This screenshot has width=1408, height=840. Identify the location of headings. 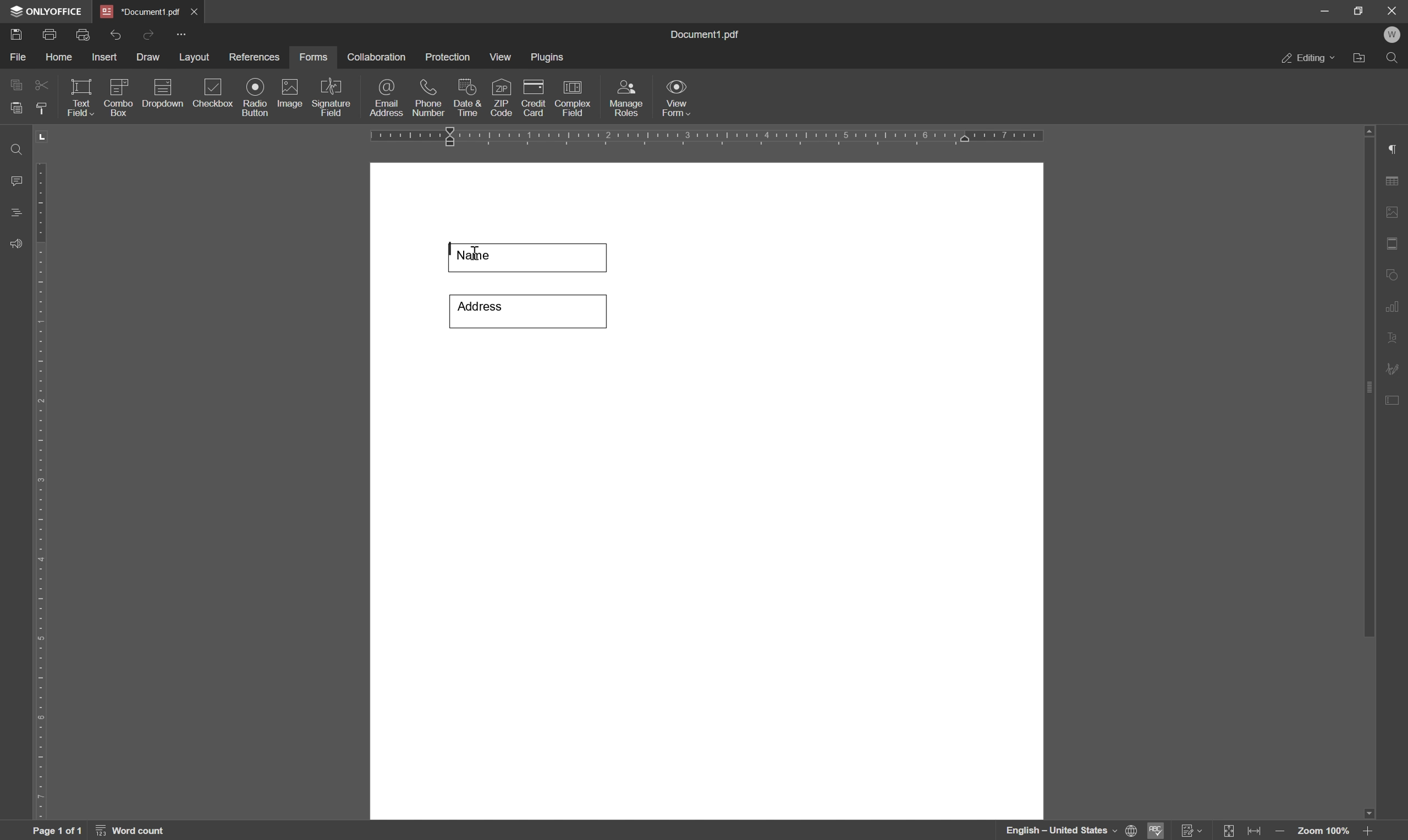
(12, 213).